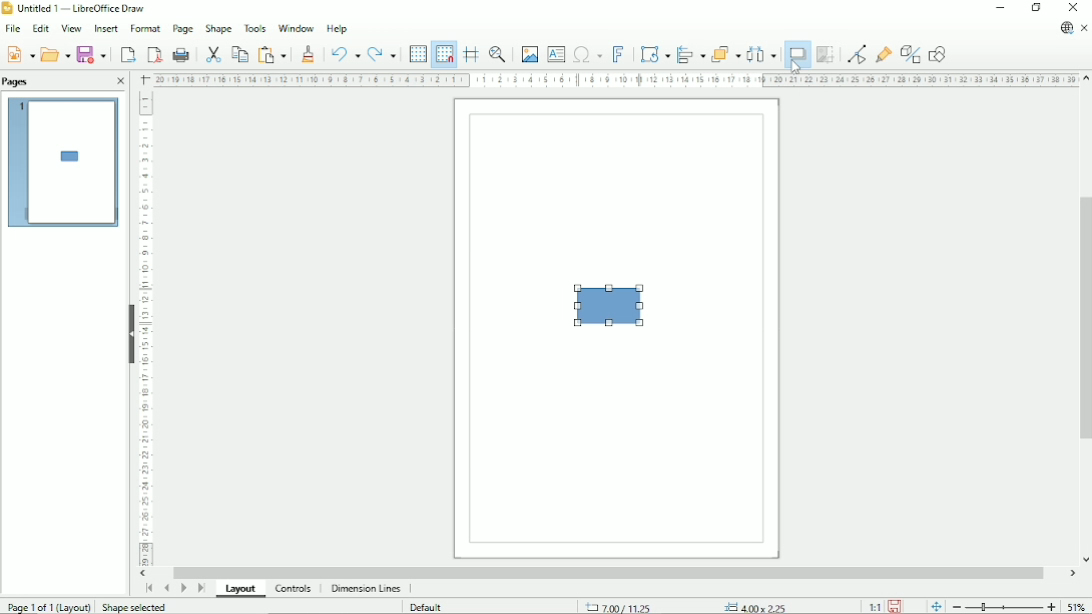 The height and width of the screenshot is (614, 1092). What do you see at coordinates (91, 55) in the screenshot?
I see `Save` at bounding box center [91, 55].